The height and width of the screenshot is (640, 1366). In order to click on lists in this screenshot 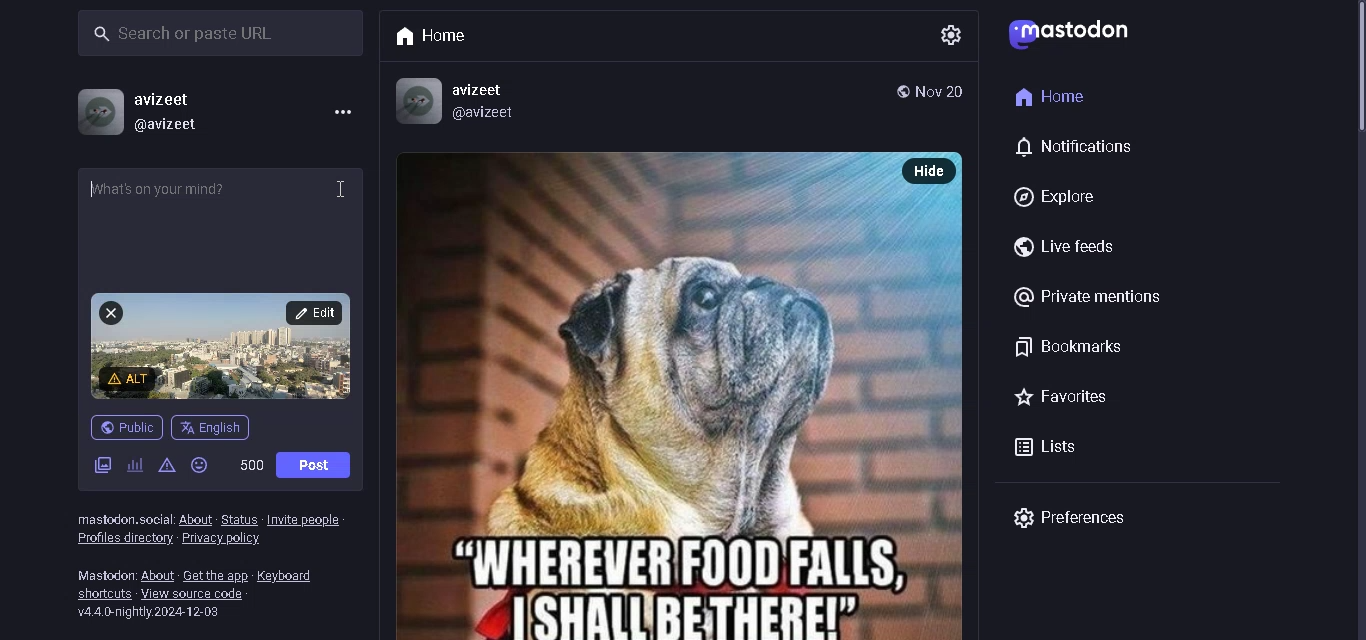, I will do `click(1061, 449)`.